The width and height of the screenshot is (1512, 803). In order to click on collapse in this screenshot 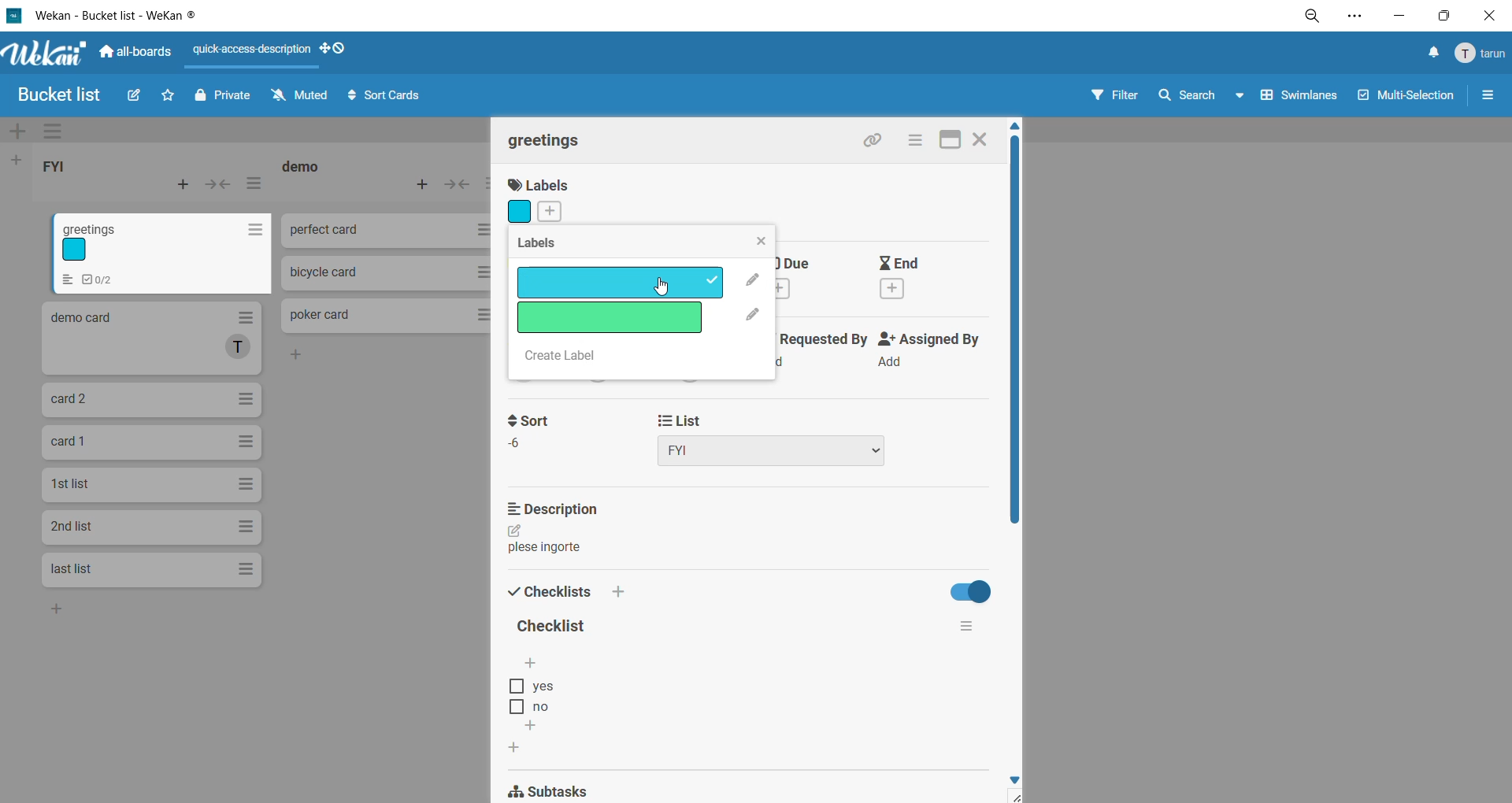, I will do `click(458, 187)`.